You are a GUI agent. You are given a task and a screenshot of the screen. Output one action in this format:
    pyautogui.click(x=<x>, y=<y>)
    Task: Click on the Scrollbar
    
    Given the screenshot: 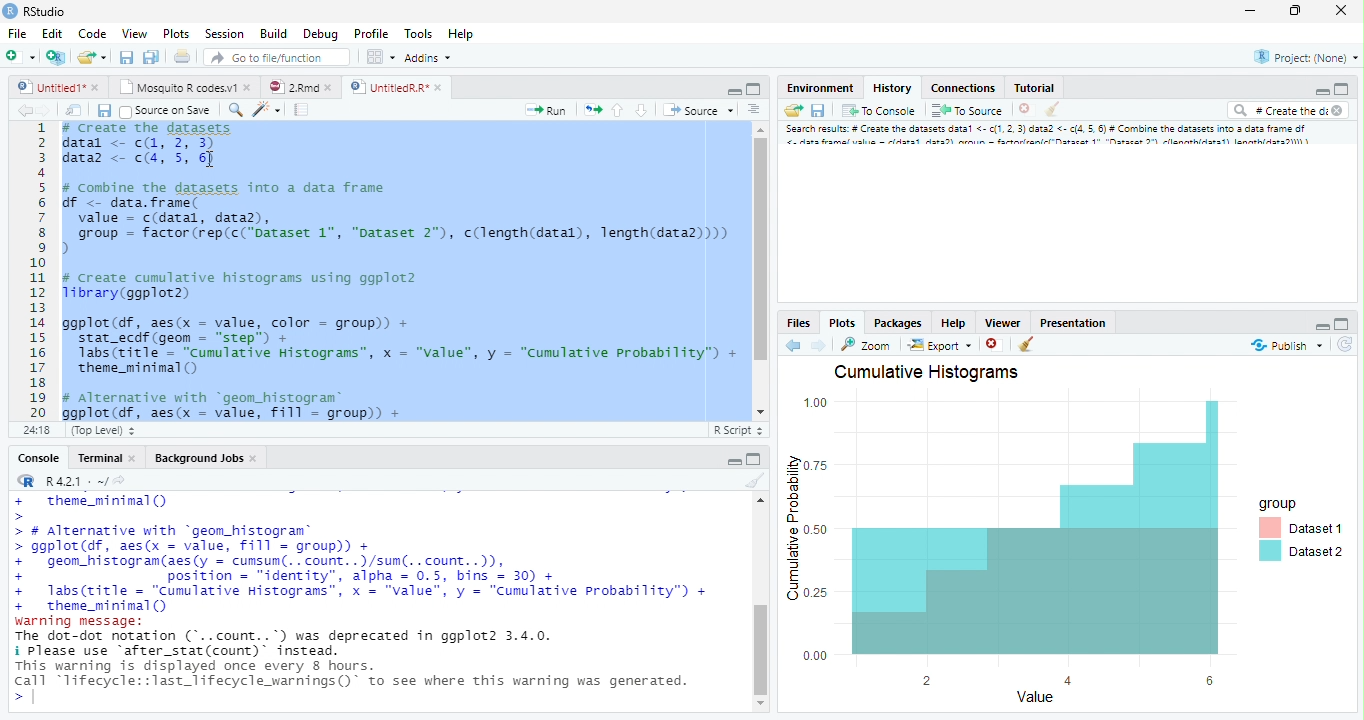 What is the action you would take?
    pyautogui.click(x=759, y=268)
    